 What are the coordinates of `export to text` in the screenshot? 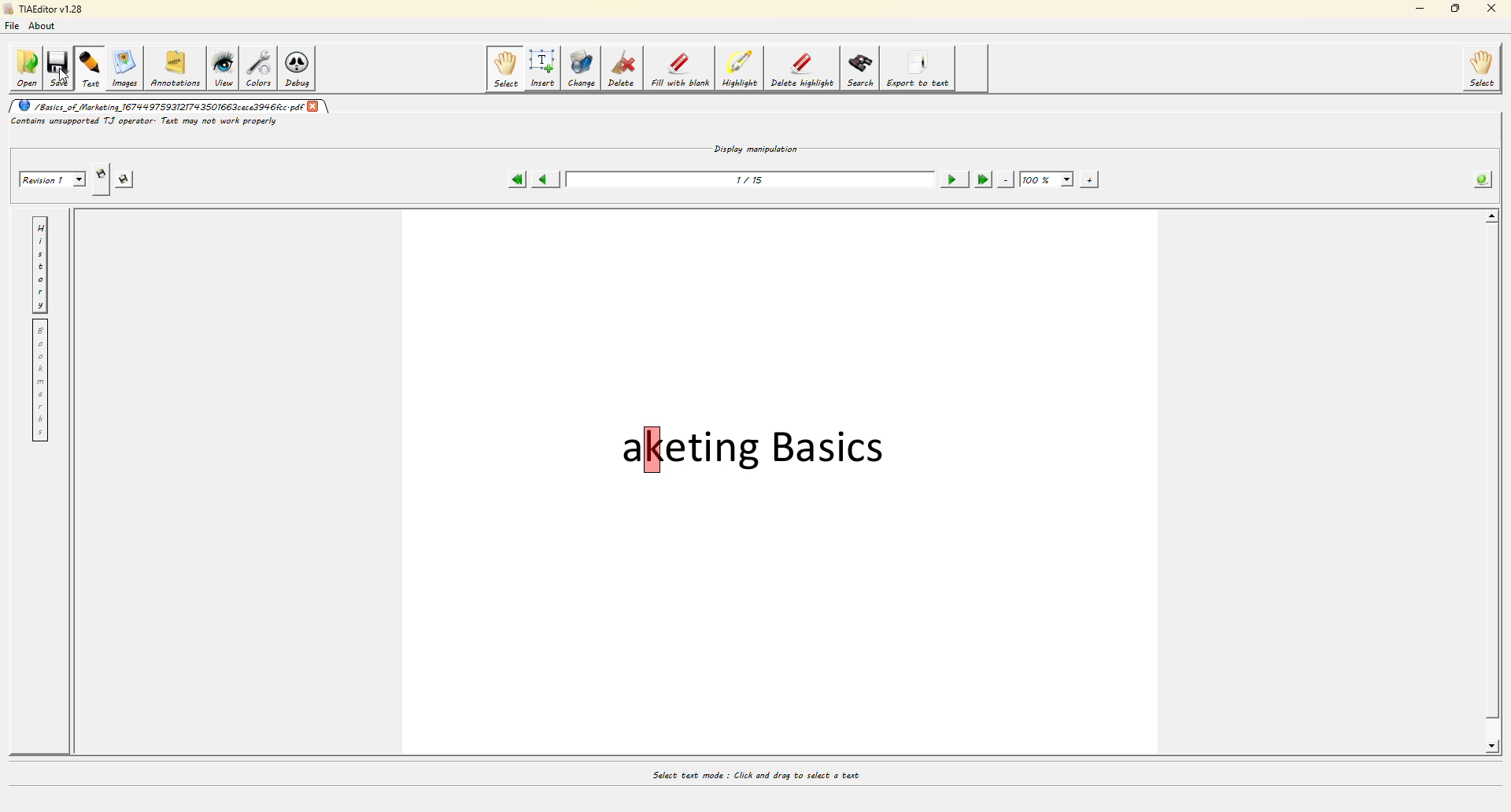 It's located at (918, 69).